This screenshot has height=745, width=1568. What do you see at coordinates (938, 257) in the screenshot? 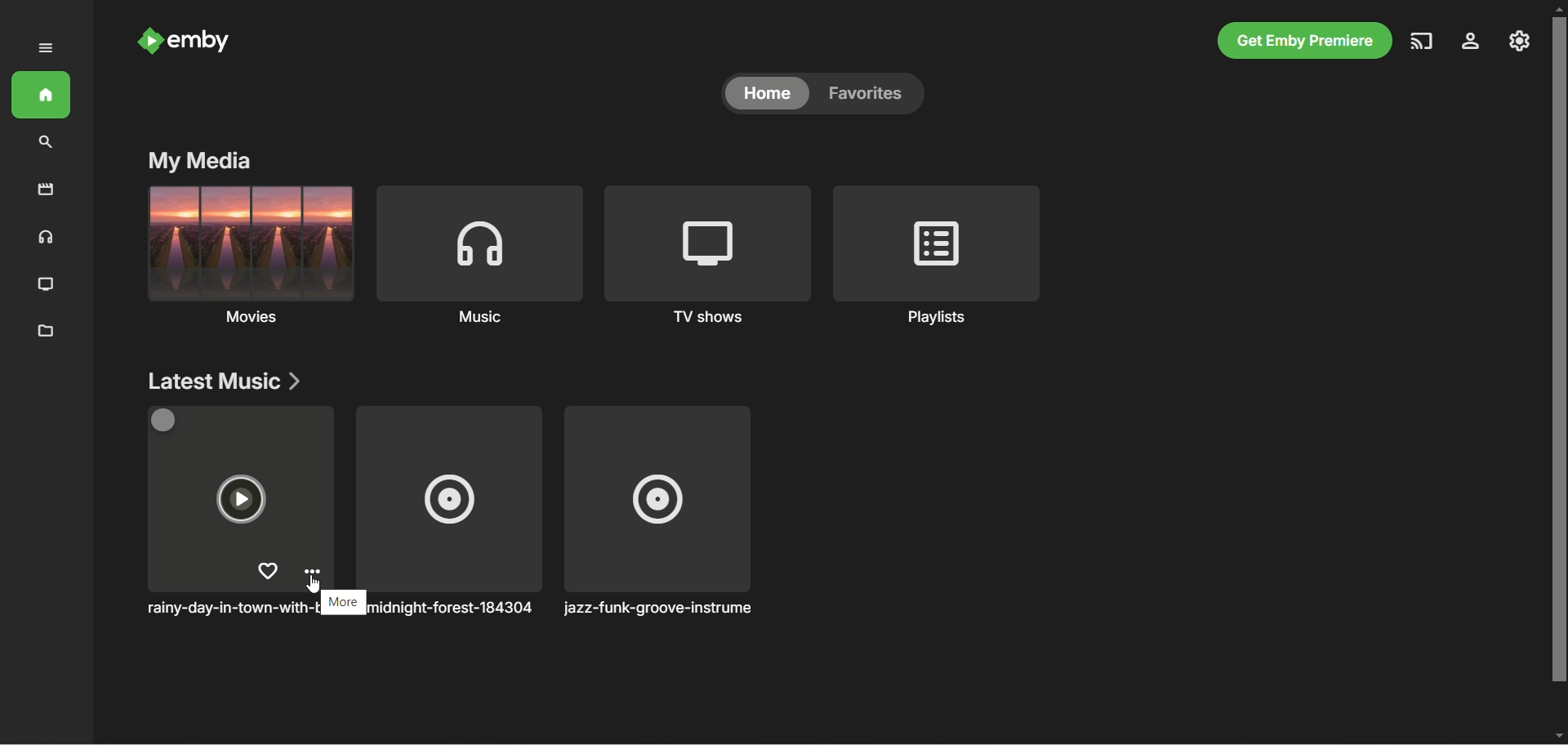
I see `playlists` at bounding box center [938, 257].